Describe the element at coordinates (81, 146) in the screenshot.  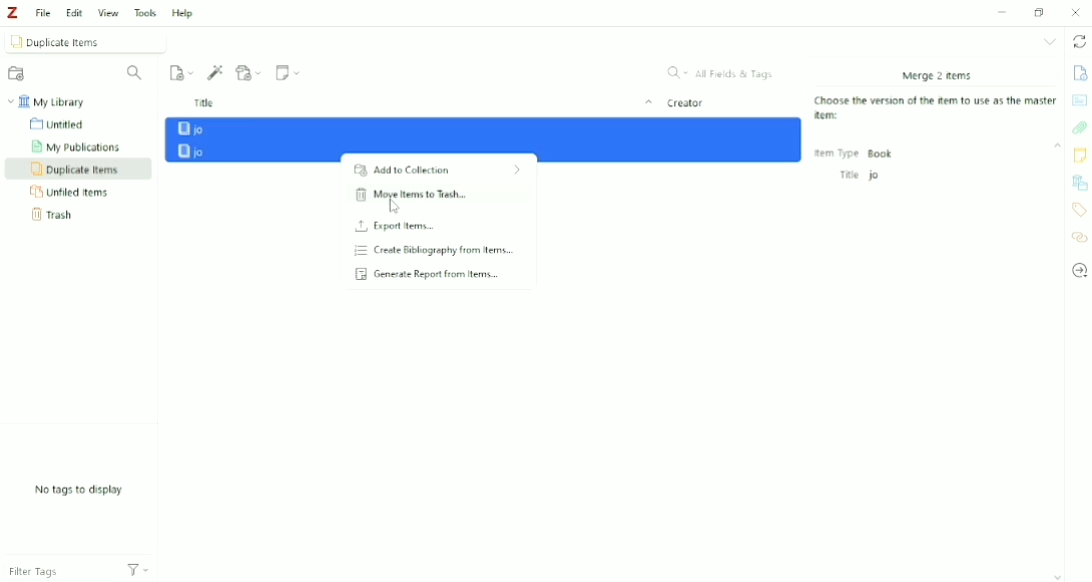
I see `My Publications` at that location.